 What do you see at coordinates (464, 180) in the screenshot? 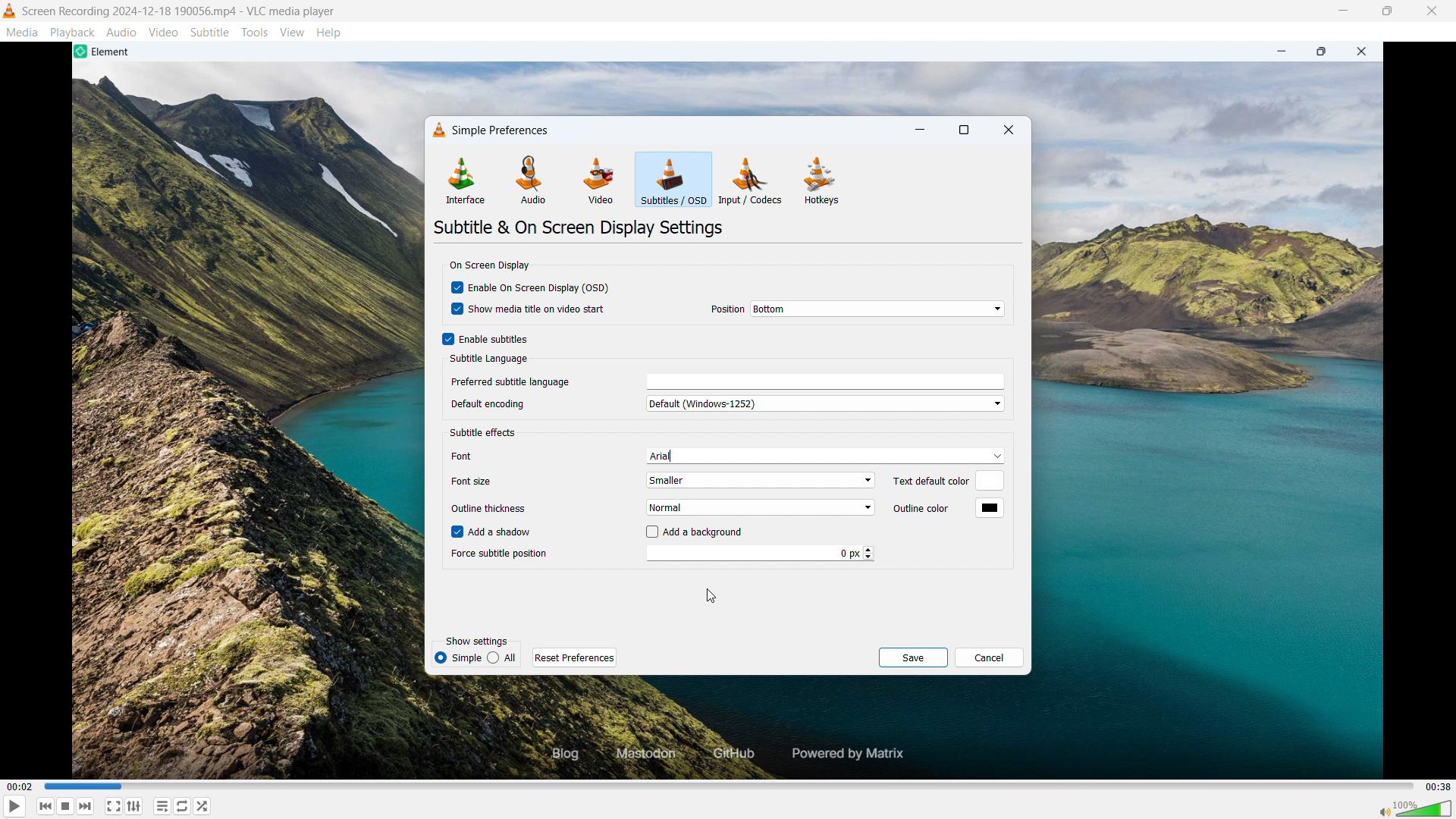
I see `interface` at bounding box center [464, 180].